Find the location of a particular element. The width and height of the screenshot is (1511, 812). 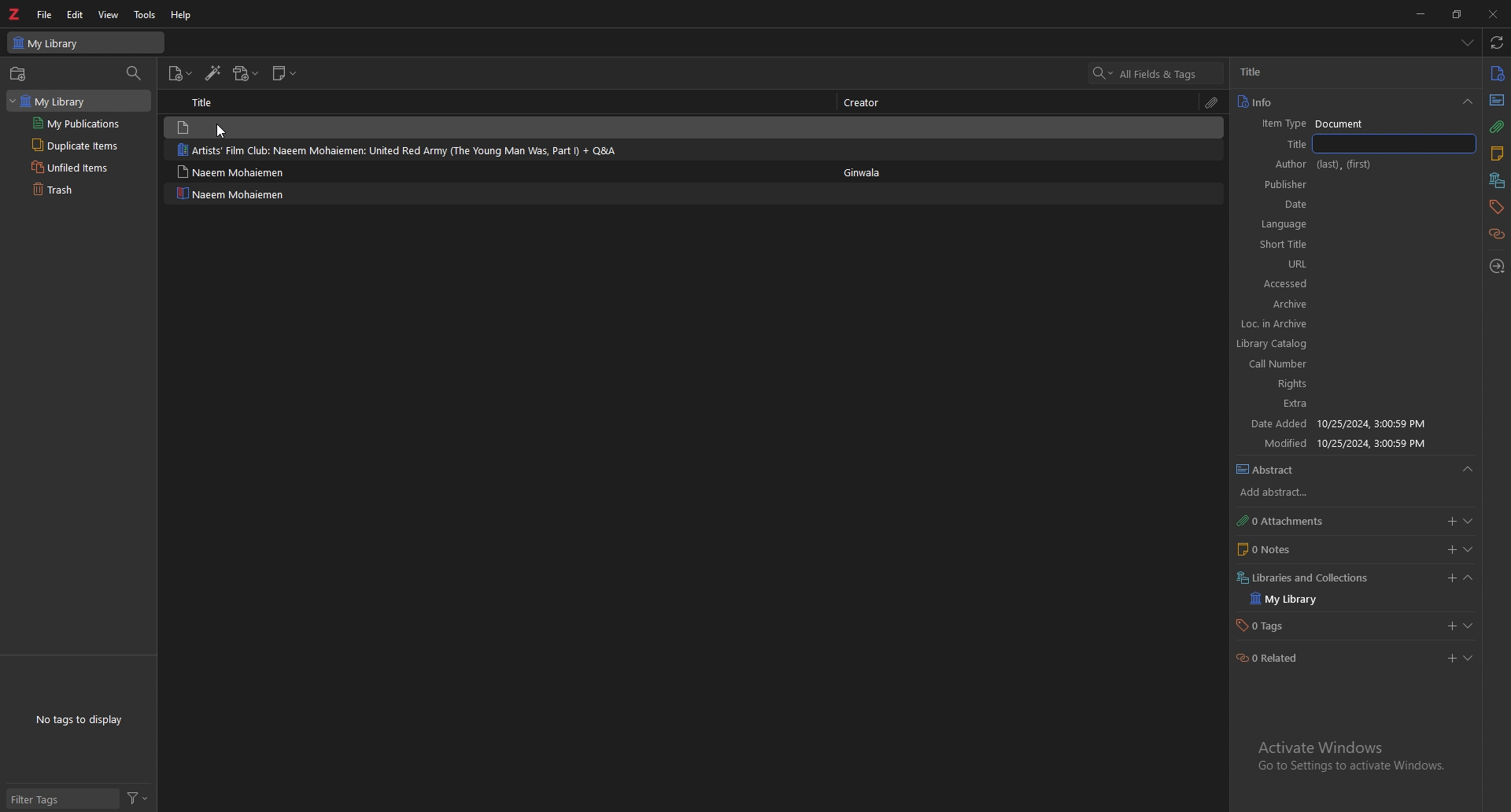

attachments is located at coordinates (1214, 102).